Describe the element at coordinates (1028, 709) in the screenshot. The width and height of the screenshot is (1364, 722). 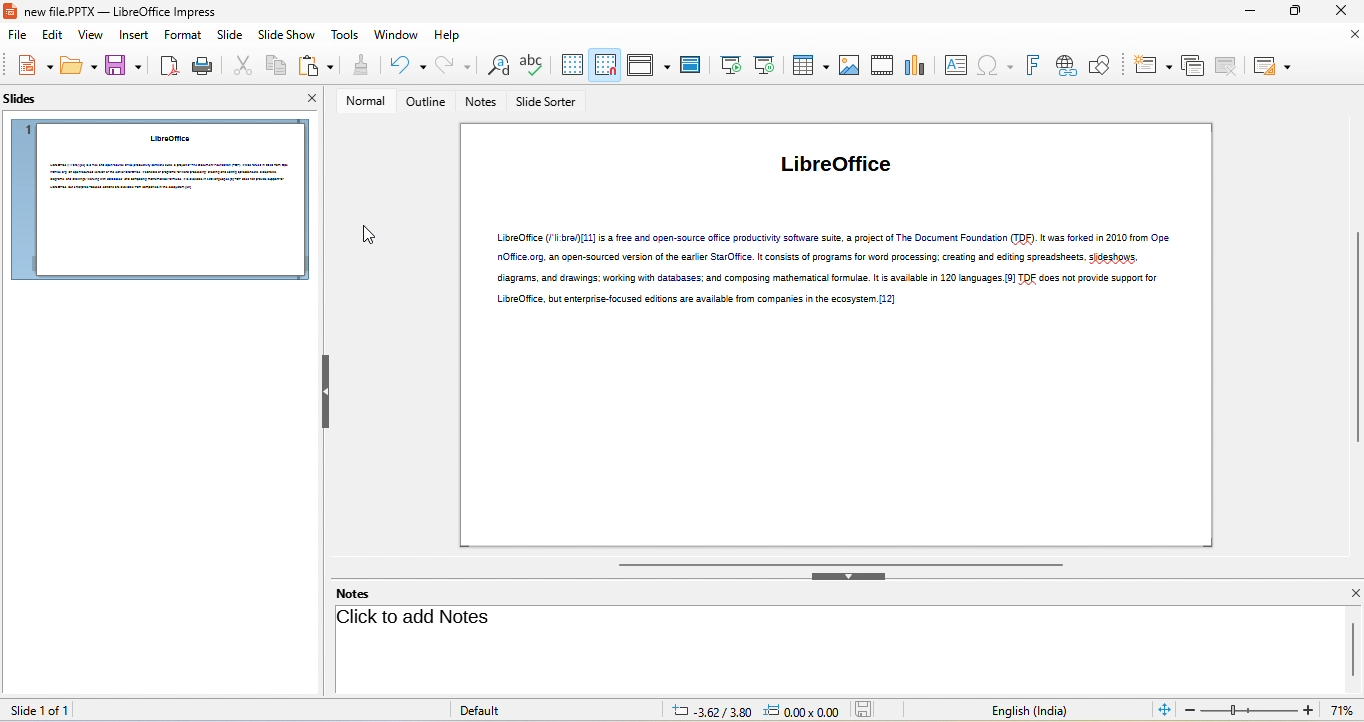
I see `text language` at that location.